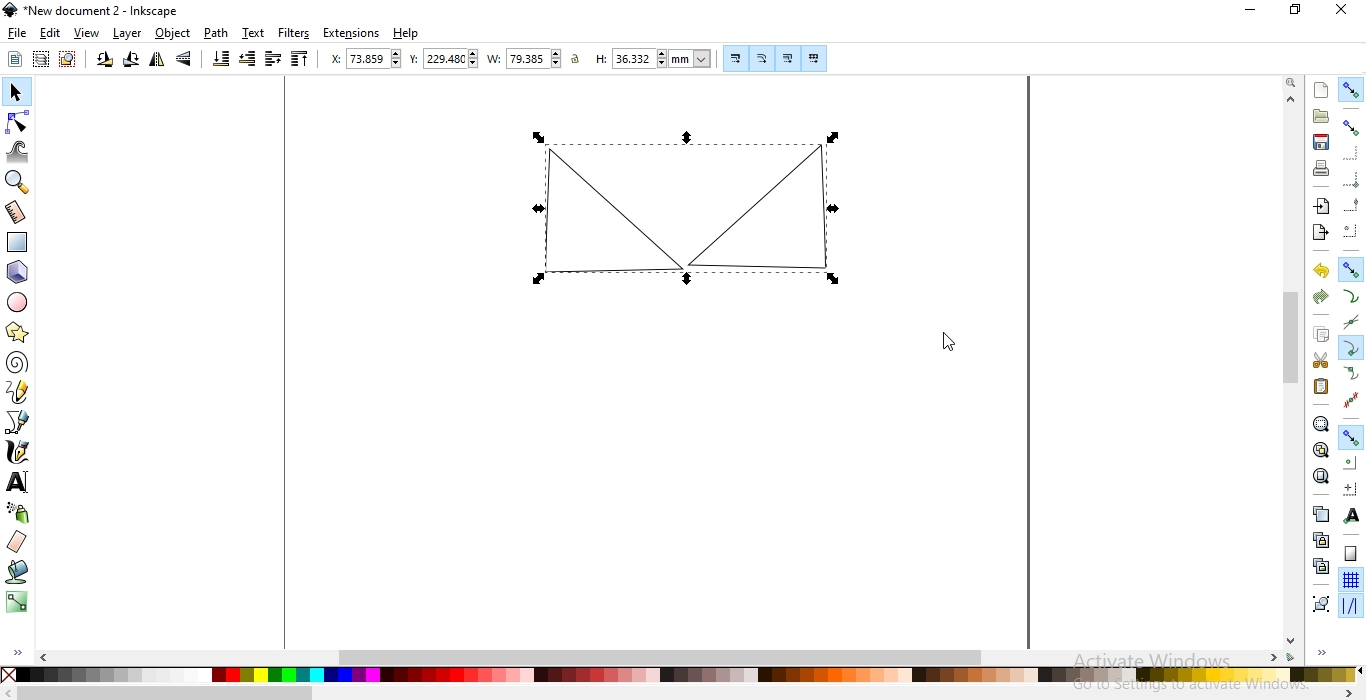 The image size is (1366, 700). Describe the element at coordinates (295, 34) in the screenshot. I see `filters` at that location.